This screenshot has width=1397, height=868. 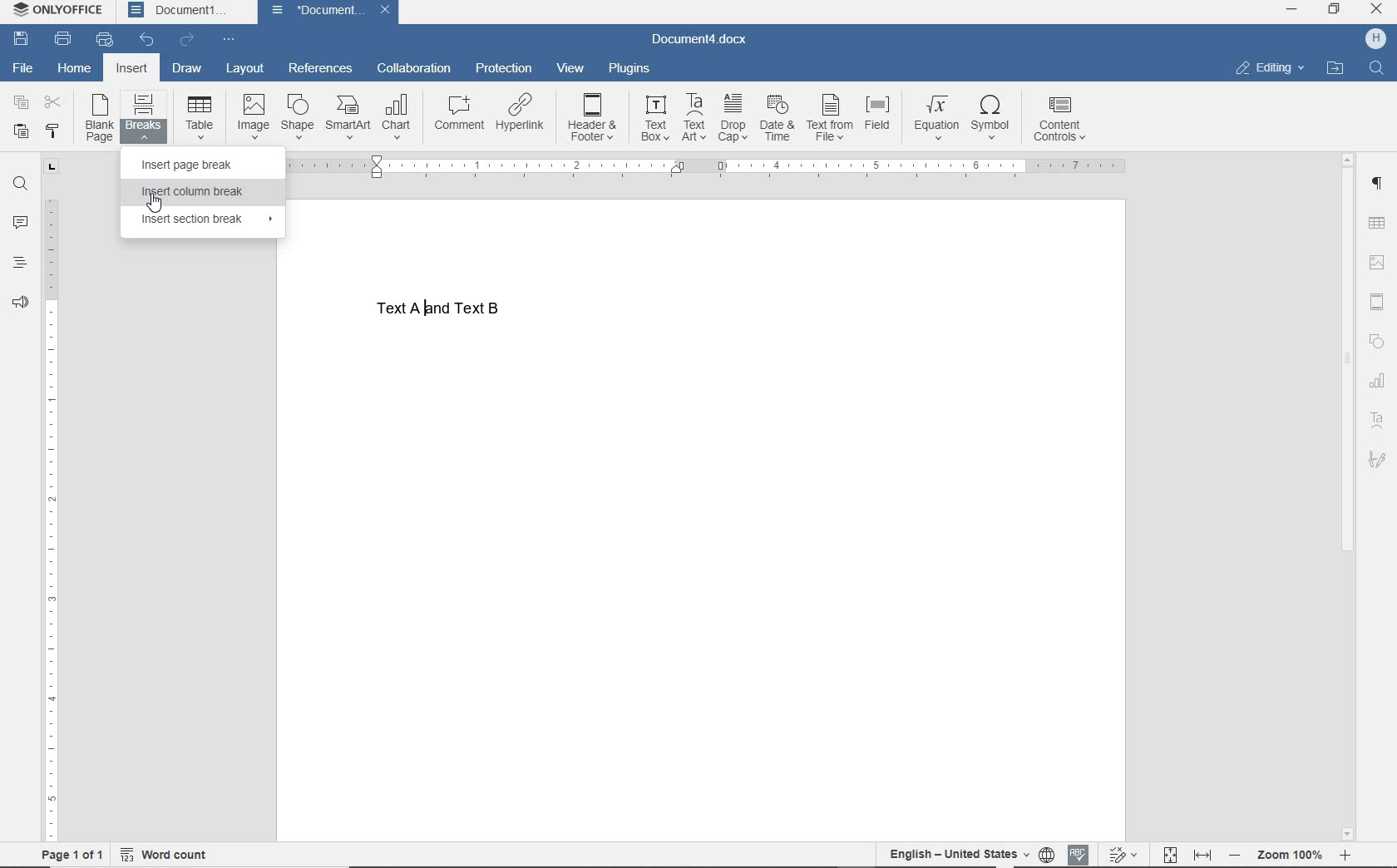 I want to click on document, so click(x=318, y=12).